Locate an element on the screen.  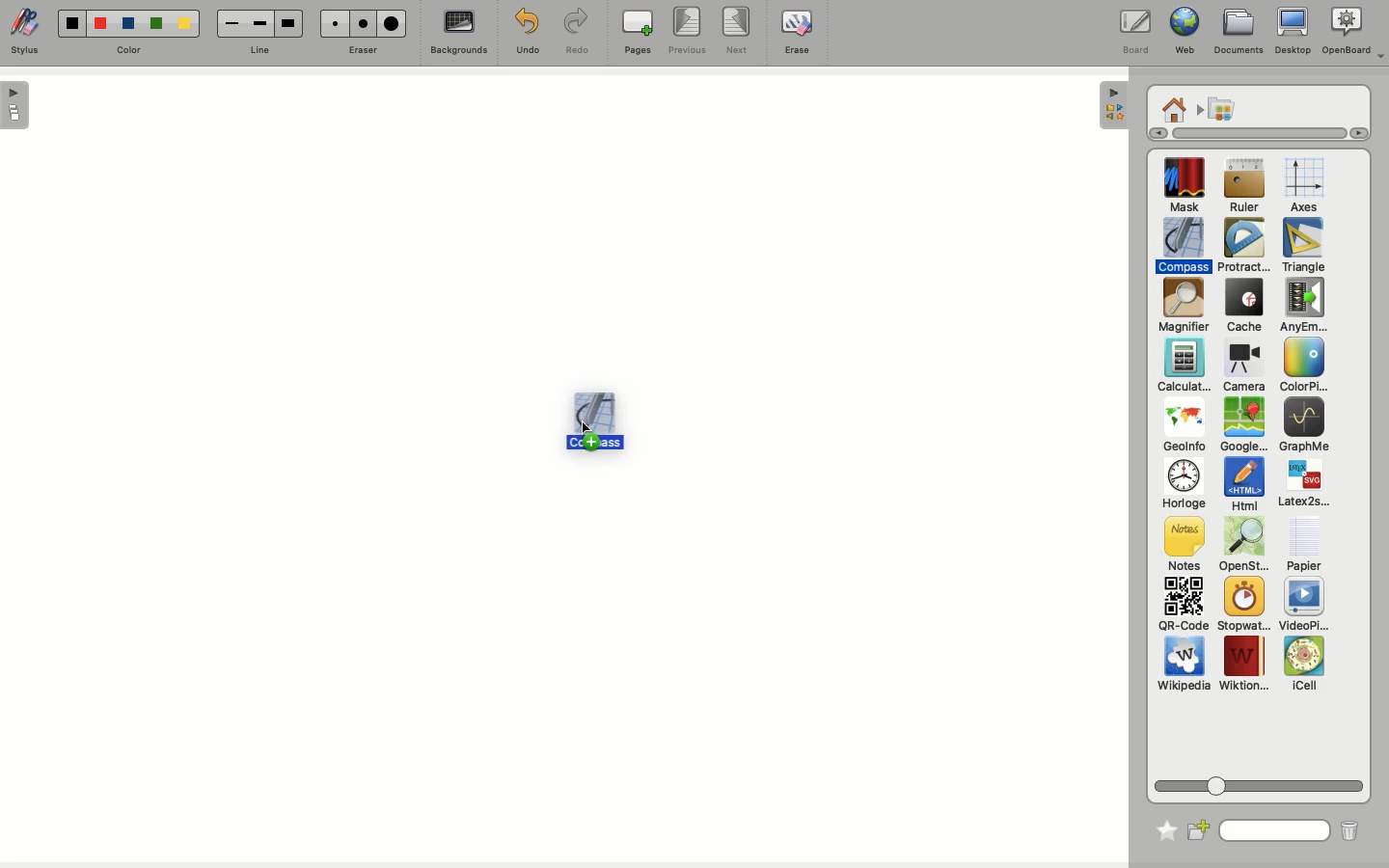
Compass is located at coordinates (596, 420).